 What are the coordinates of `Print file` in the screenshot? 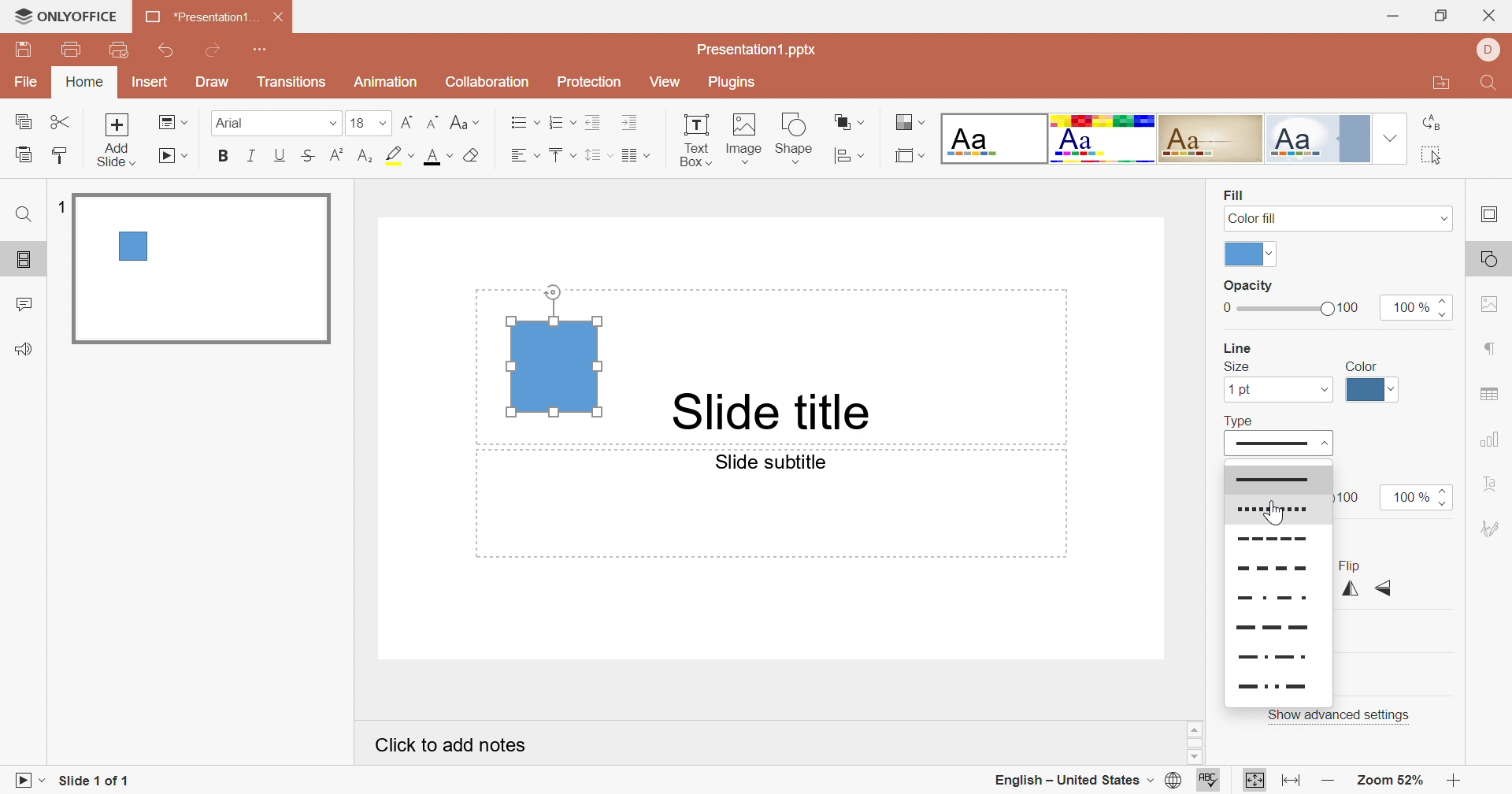 It's located at (69, 52).